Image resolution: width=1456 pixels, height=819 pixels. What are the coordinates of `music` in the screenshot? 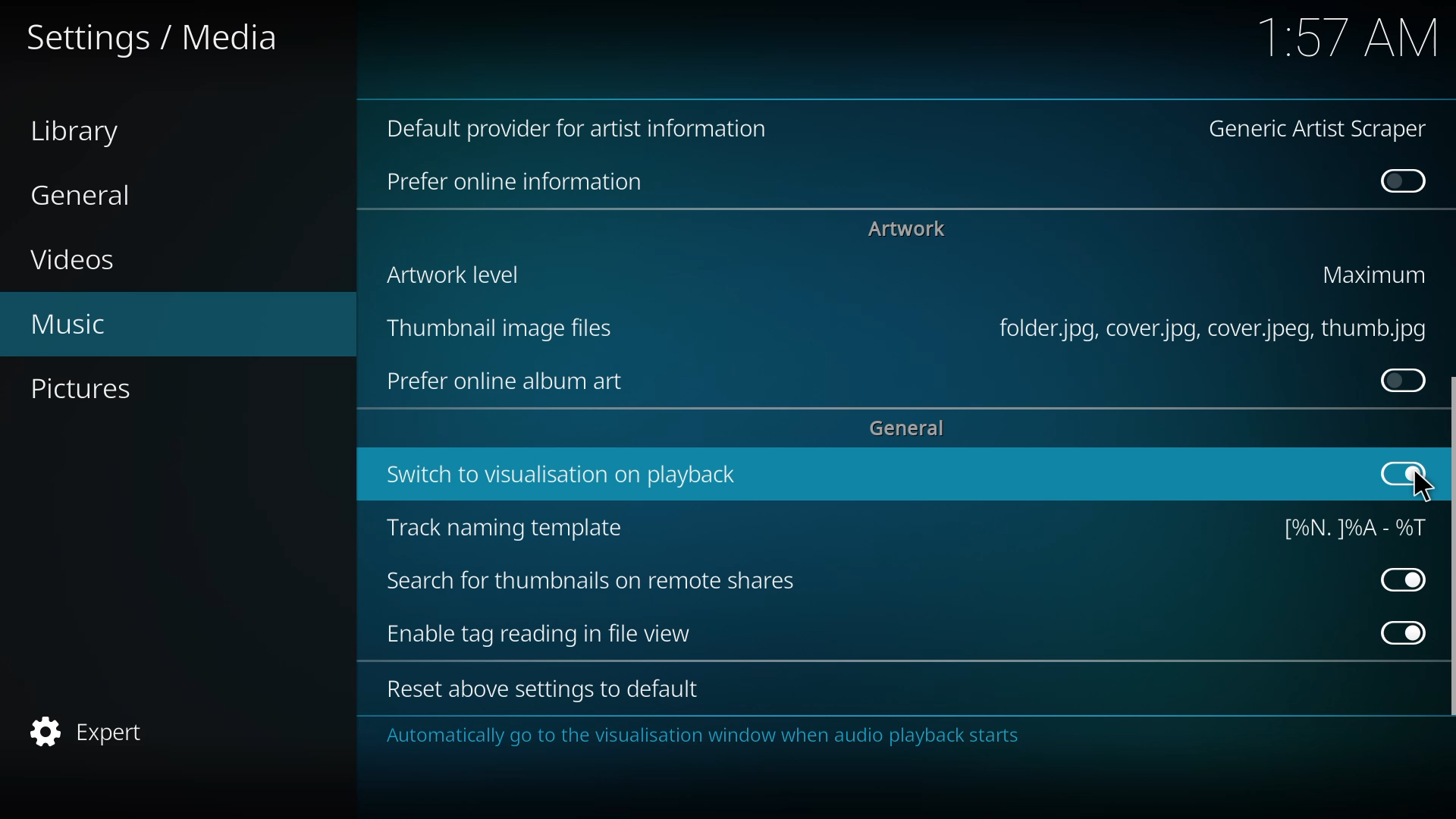 It's located at (68, 325).